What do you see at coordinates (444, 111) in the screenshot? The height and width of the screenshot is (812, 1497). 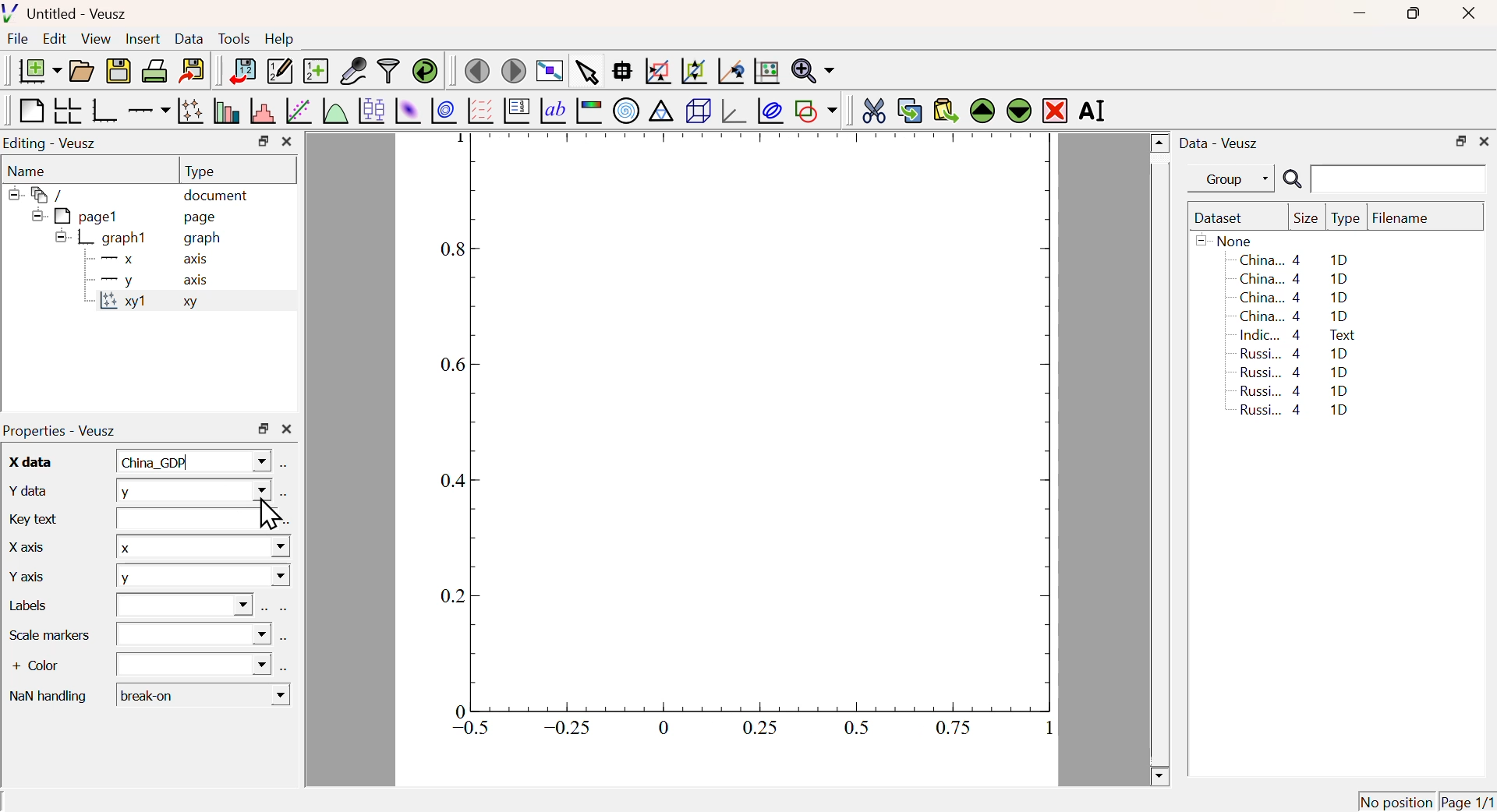 I see `Plot 2D set as contours` at bounding box center [444, 111].